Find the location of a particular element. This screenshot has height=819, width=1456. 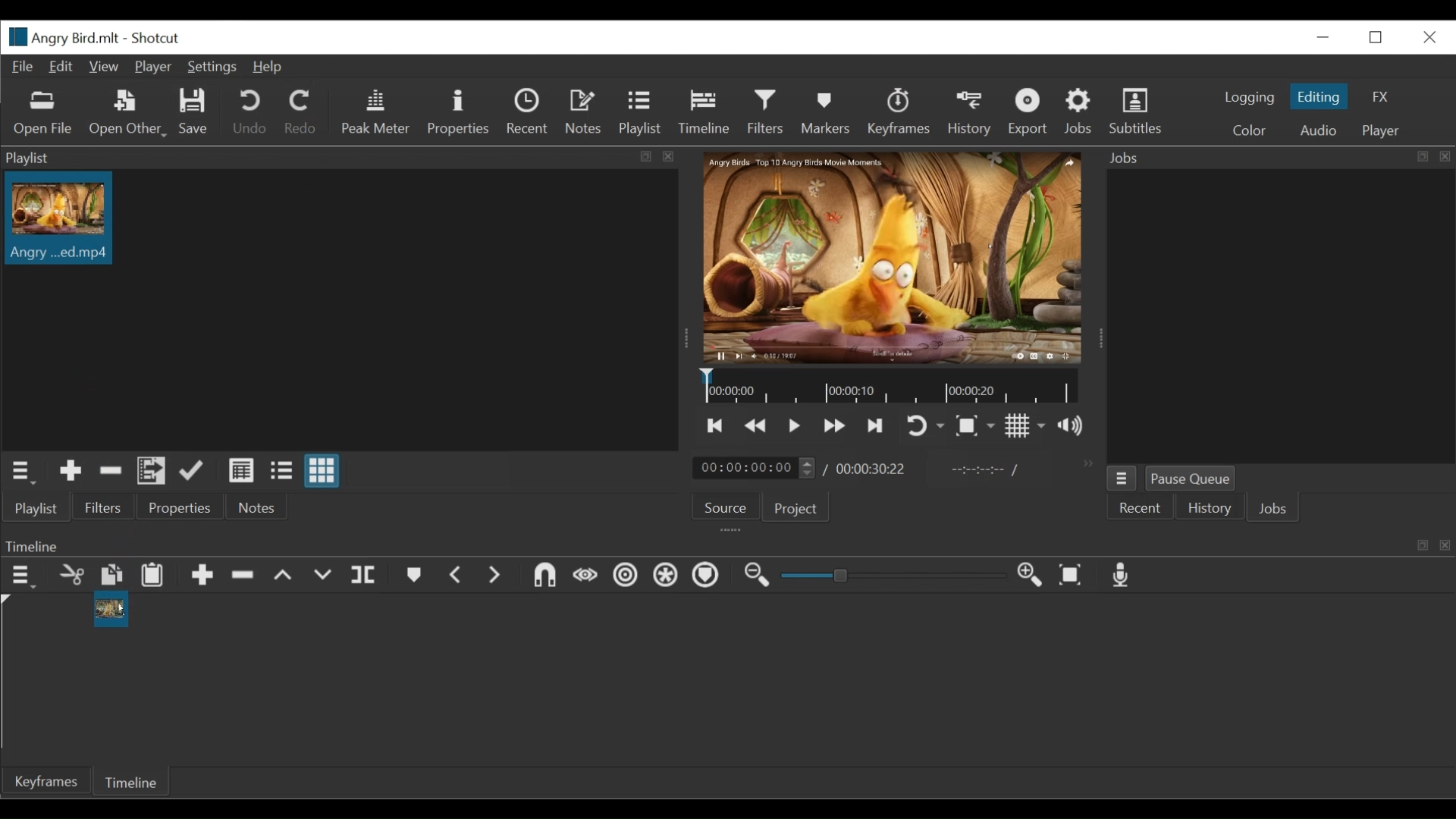

Peak Meter is located at coordinates (372, 111).